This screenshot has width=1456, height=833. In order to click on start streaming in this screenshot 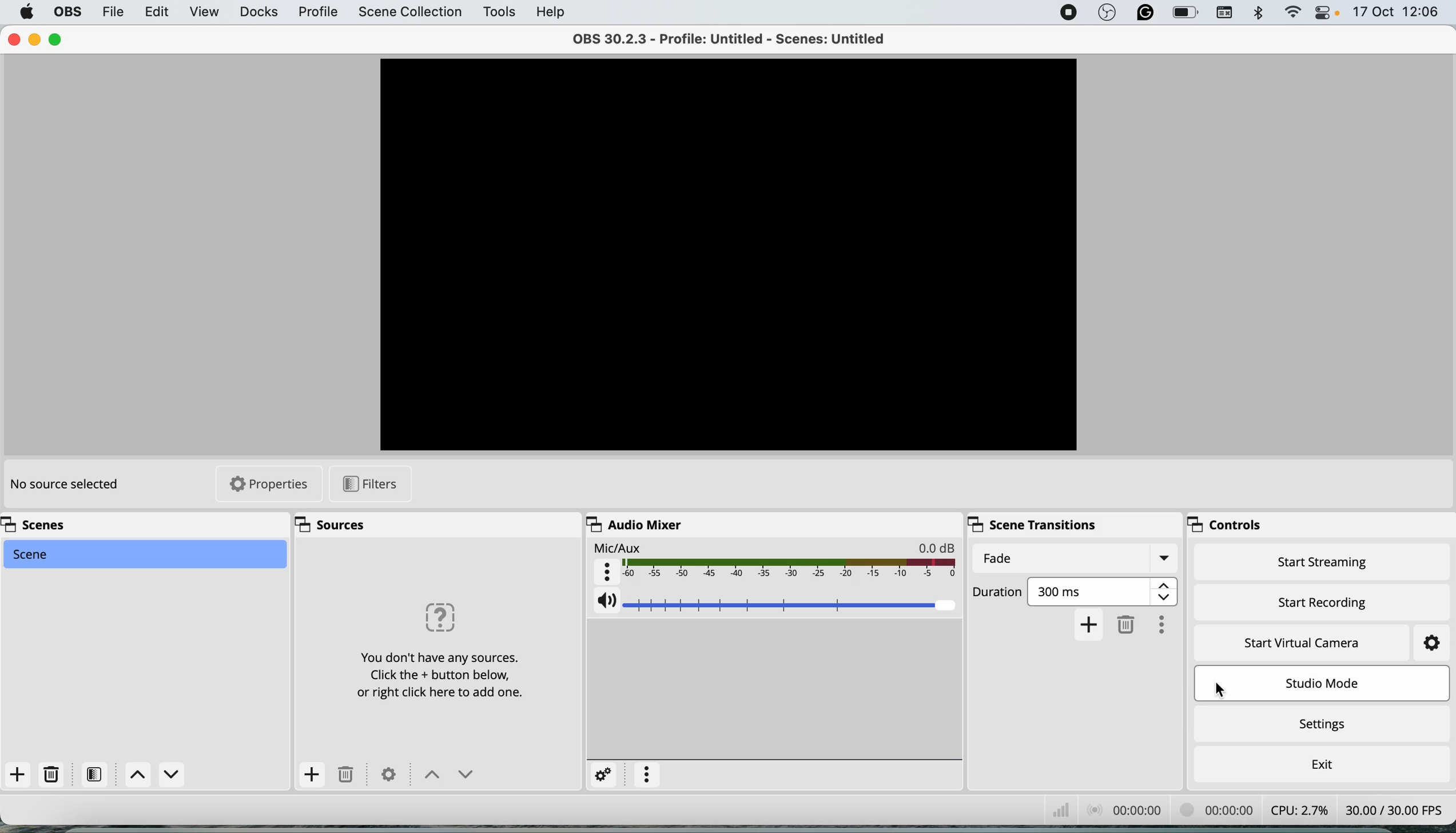, I will do `click(1322, 561)`.